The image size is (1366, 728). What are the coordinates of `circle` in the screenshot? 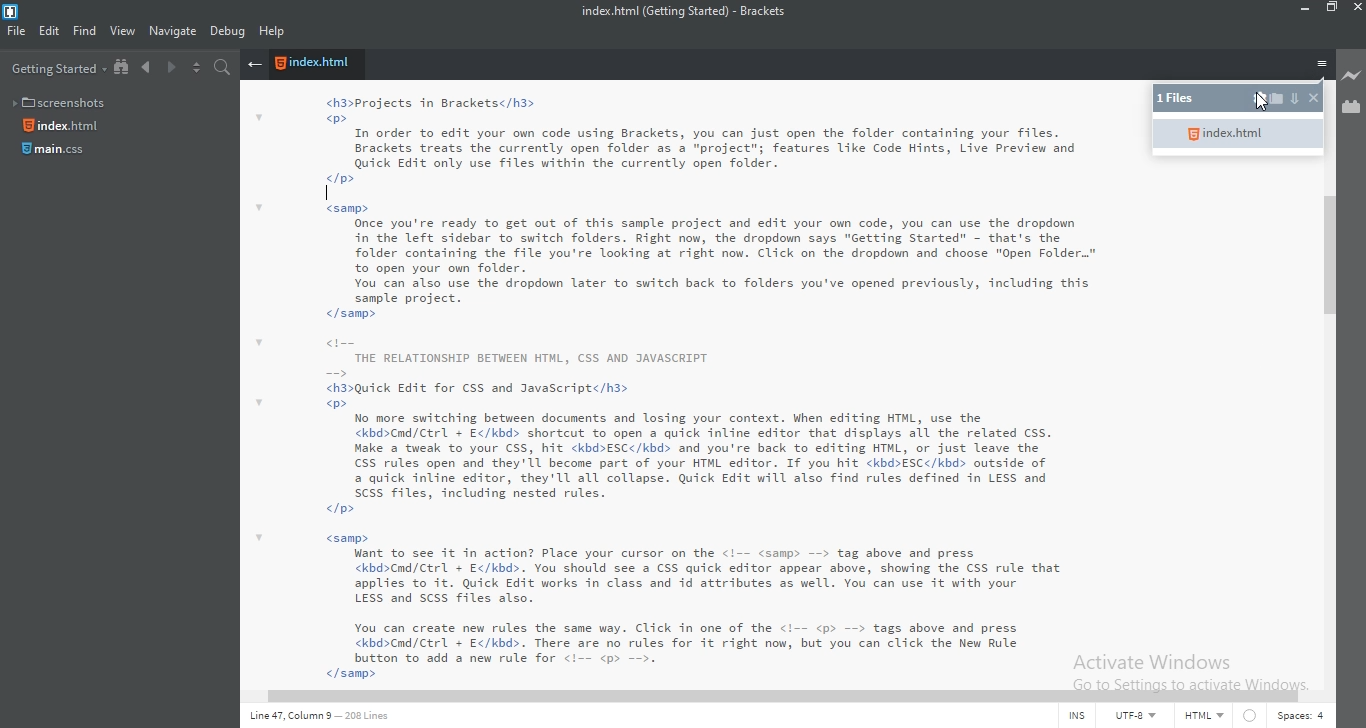 It's located at (1248, 718).